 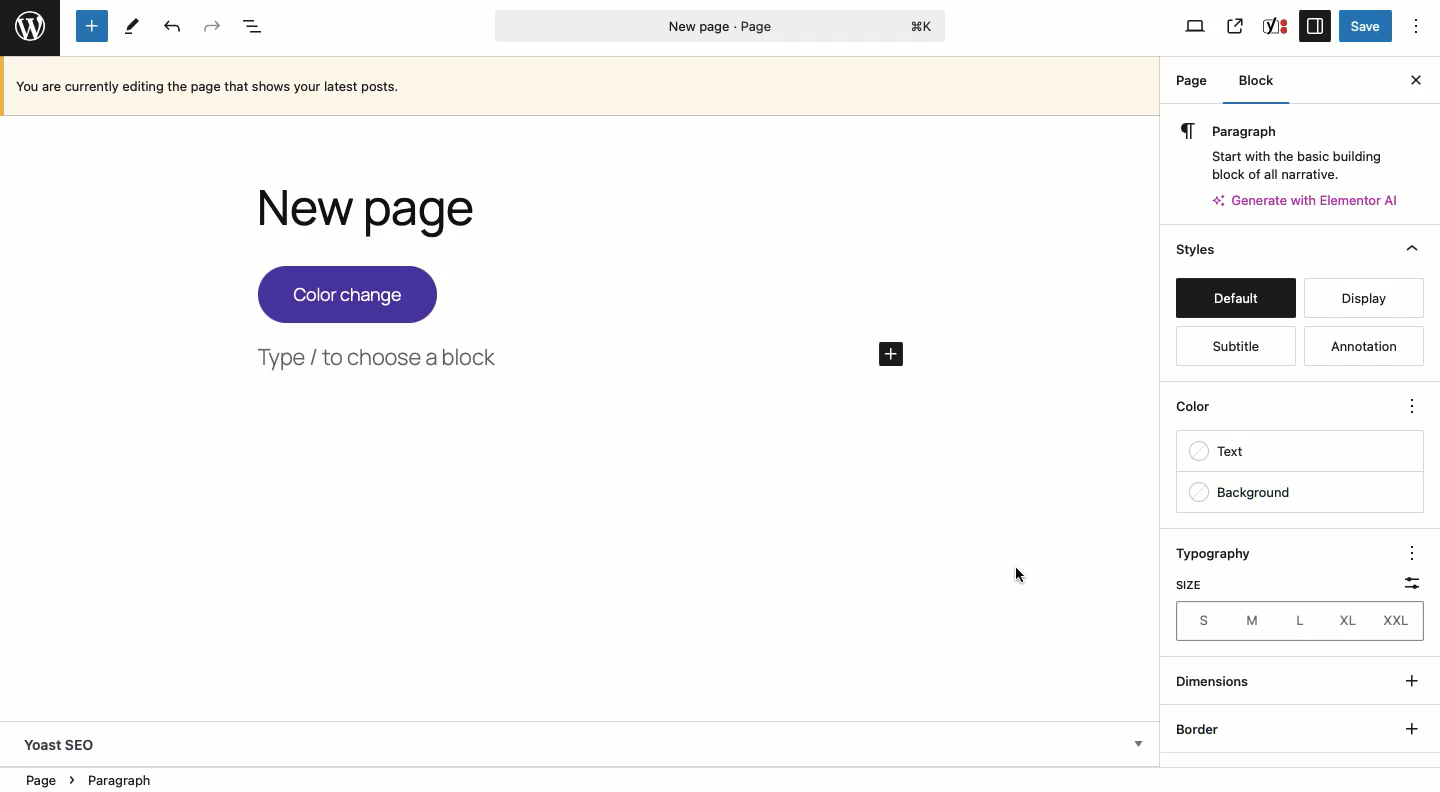 I want to click on Currently editing the page that show your latest posts, so click(x=584, y=86).